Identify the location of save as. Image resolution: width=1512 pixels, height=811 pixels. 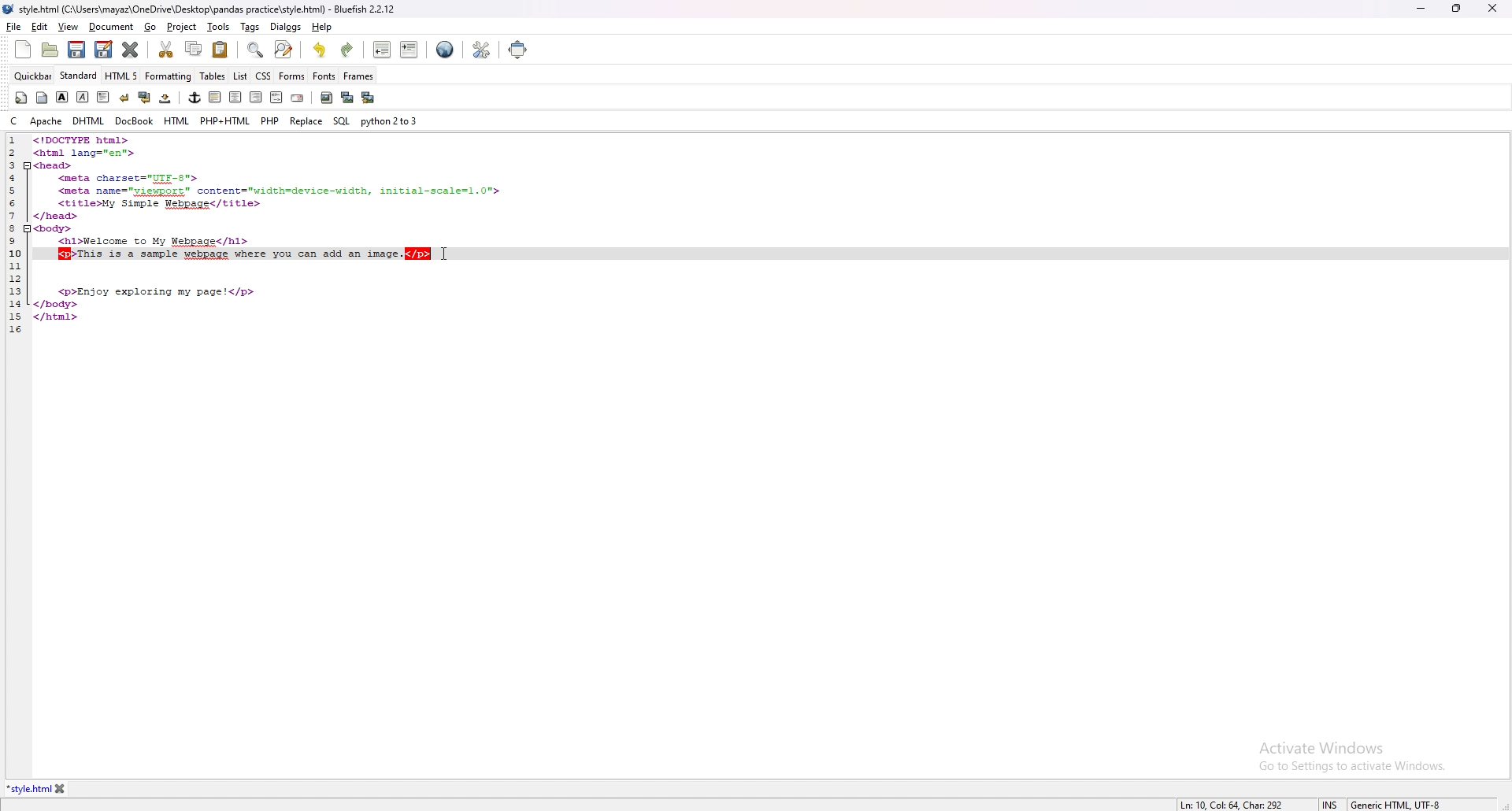
(103, 50).